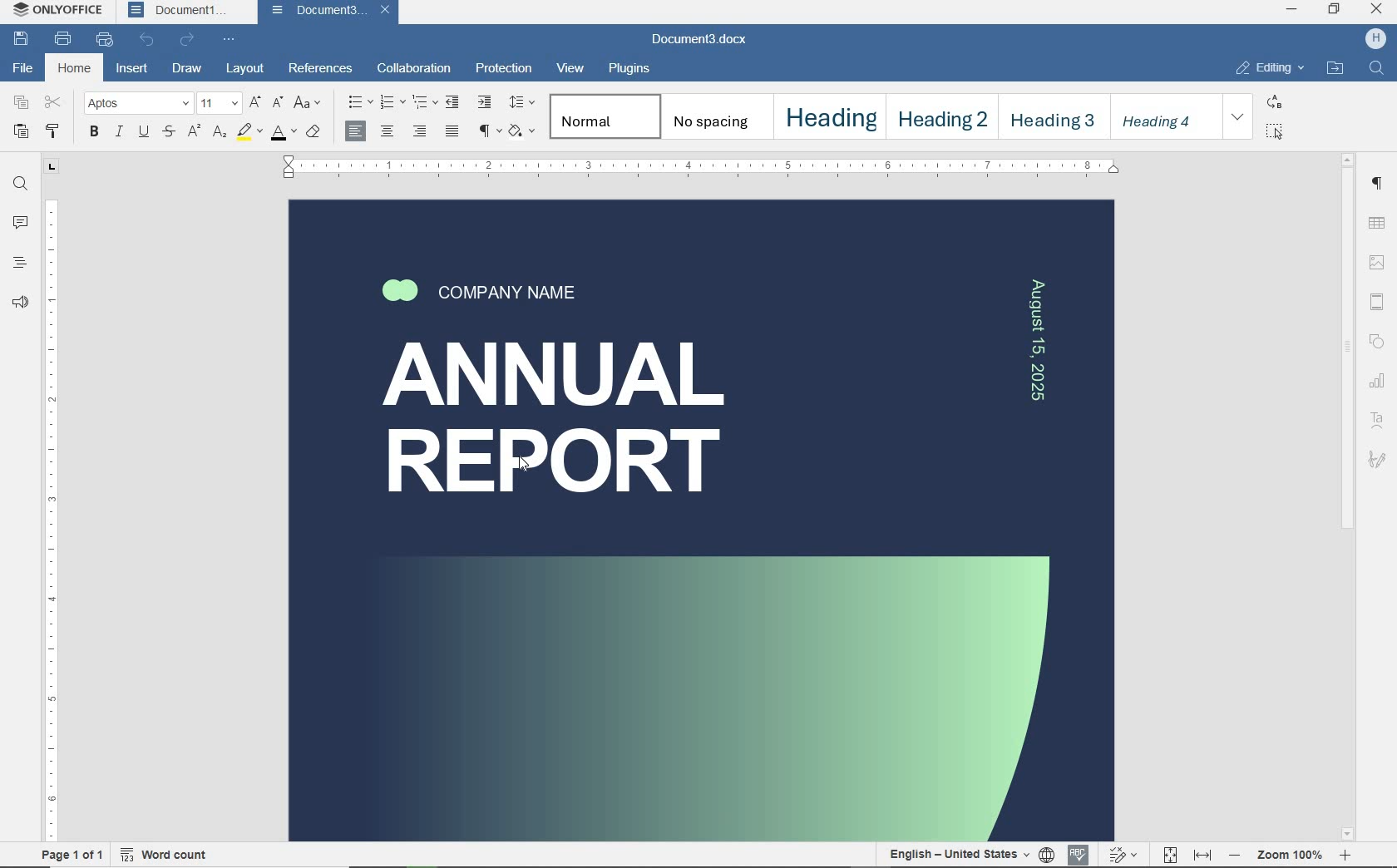 The image size is (1397, 868). Describe the element at coordinates (22, 37) in the screenshot. I see `save` at that location.